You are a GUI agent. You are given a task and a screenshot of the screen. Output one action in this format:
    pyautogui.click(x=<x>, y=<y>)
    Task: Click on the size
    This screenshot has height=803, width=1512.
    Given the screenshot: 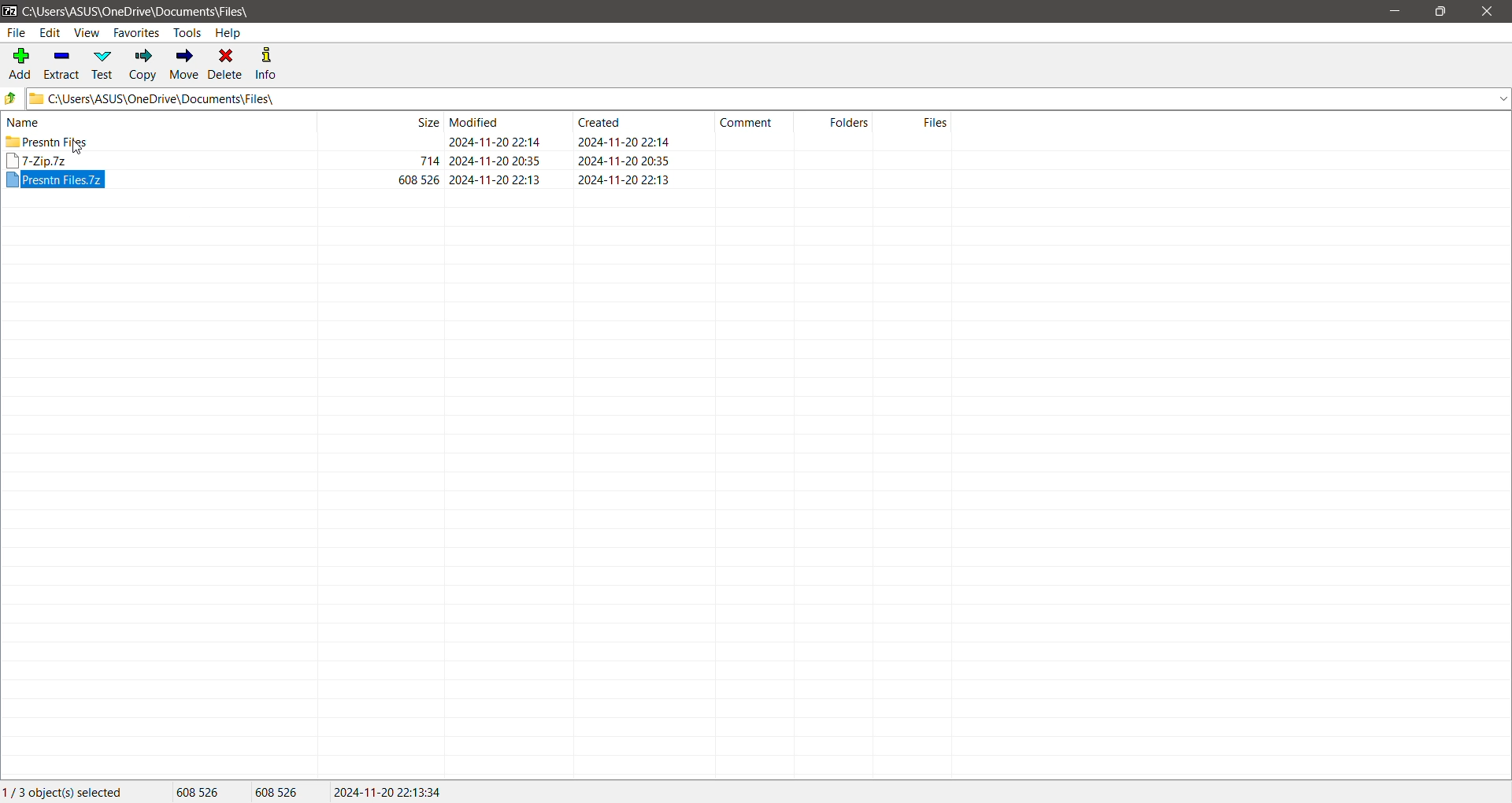 What is the action you would take?
    pyautogui.click(x=418, y=179)
    